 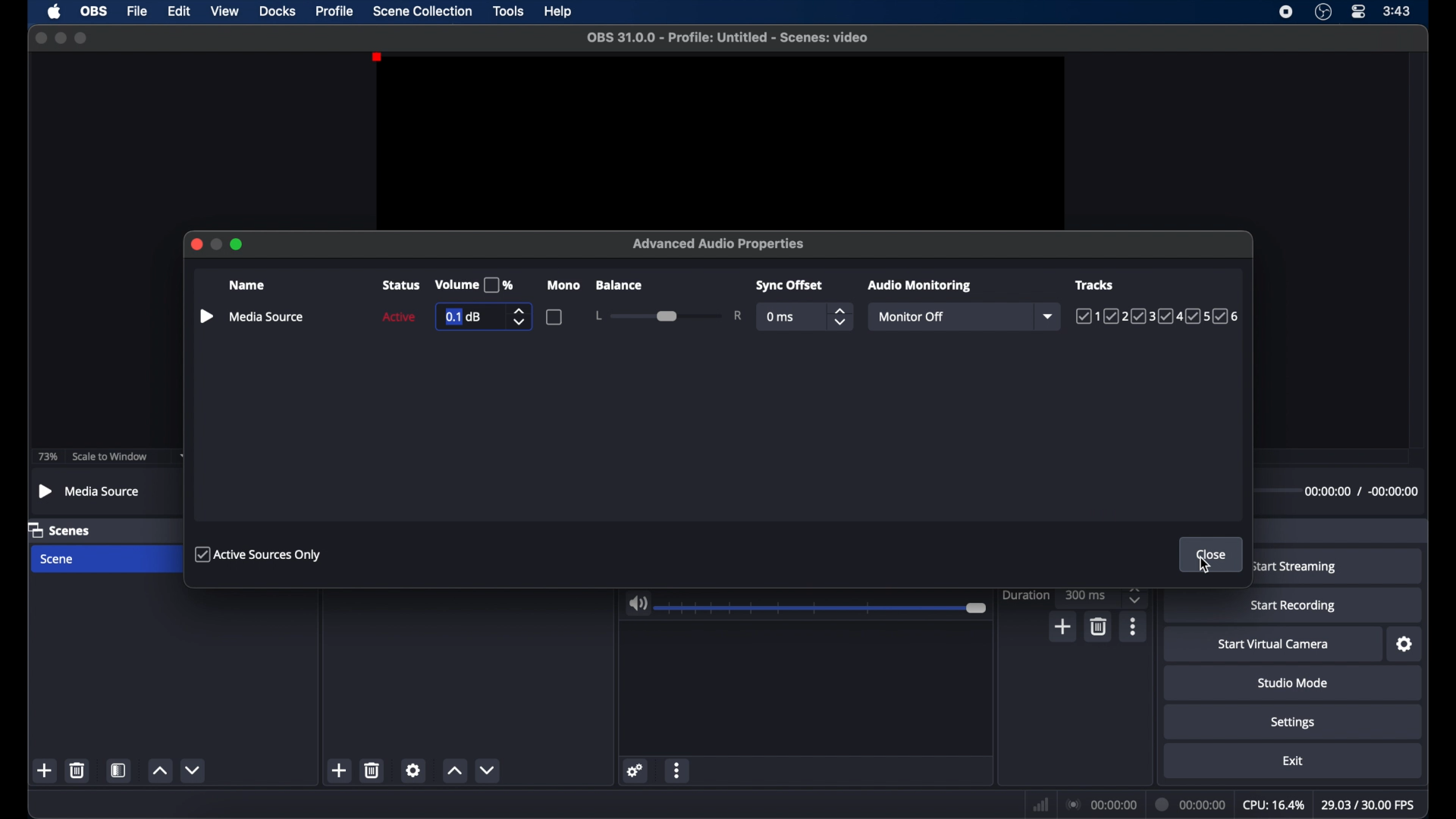 I want to click on tracks, so click(x=1159, y=316).